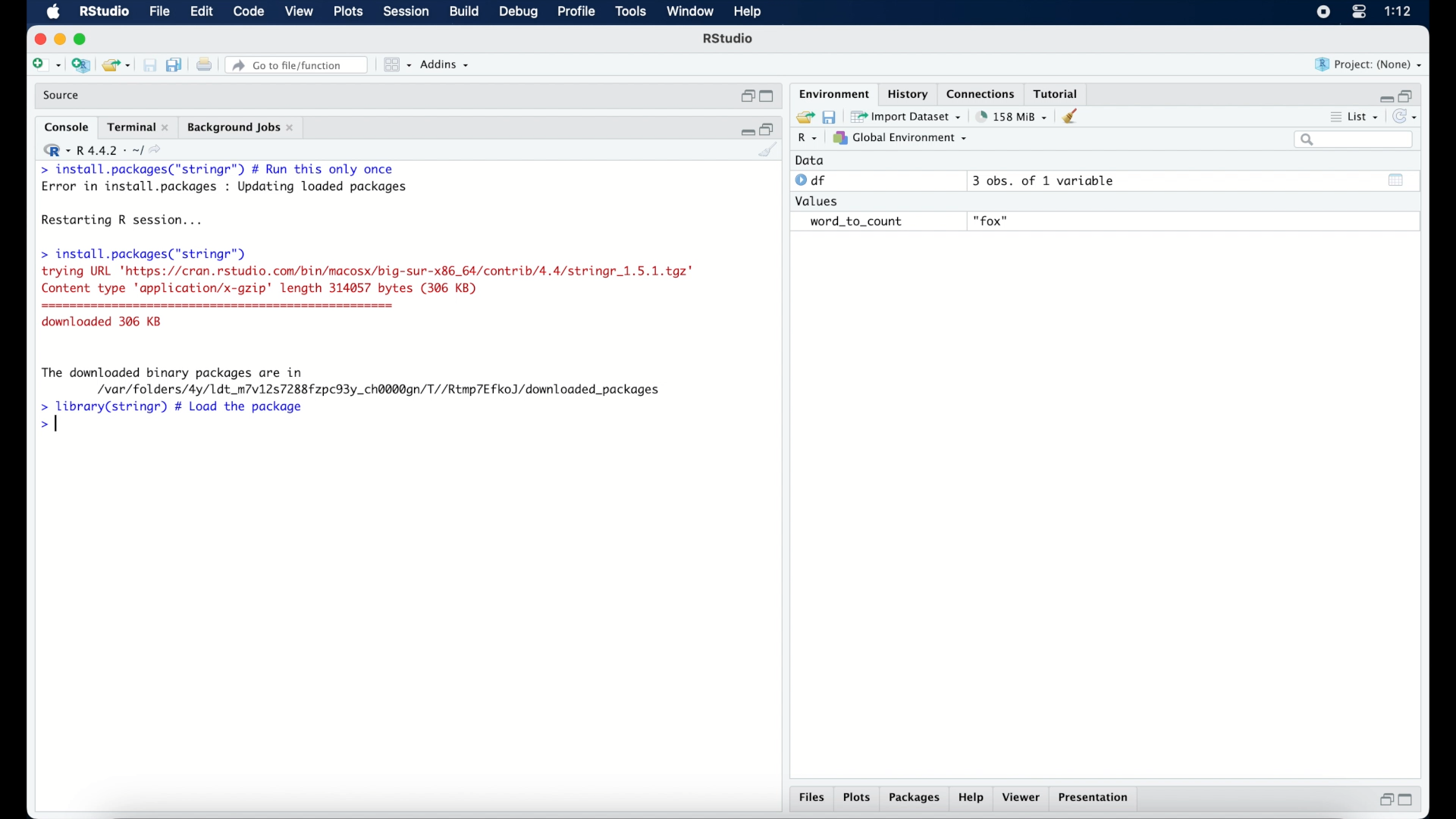 This screenshot has height=819, width=1456. What do you see at coordinates (59, 39) in the screenshot?
I see `minimize` at bounding box center [59, 39].